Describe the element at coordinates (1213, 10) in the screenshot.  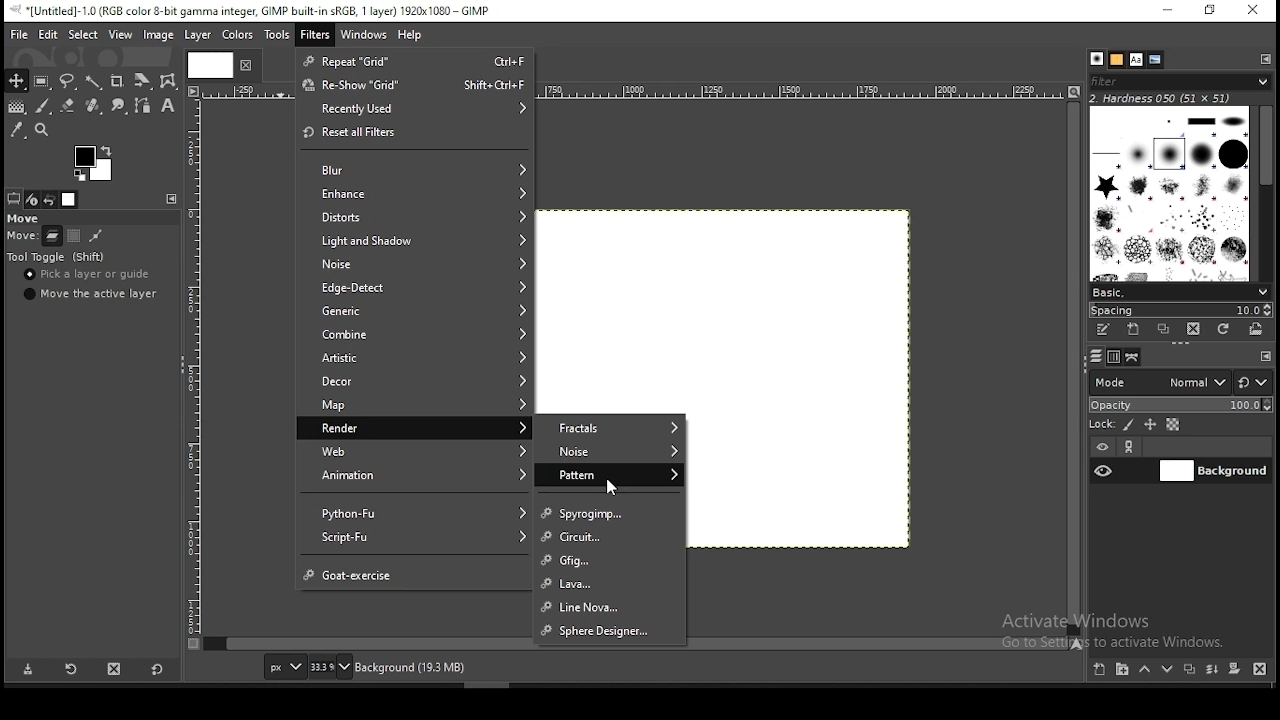
I see `restore` at that location.